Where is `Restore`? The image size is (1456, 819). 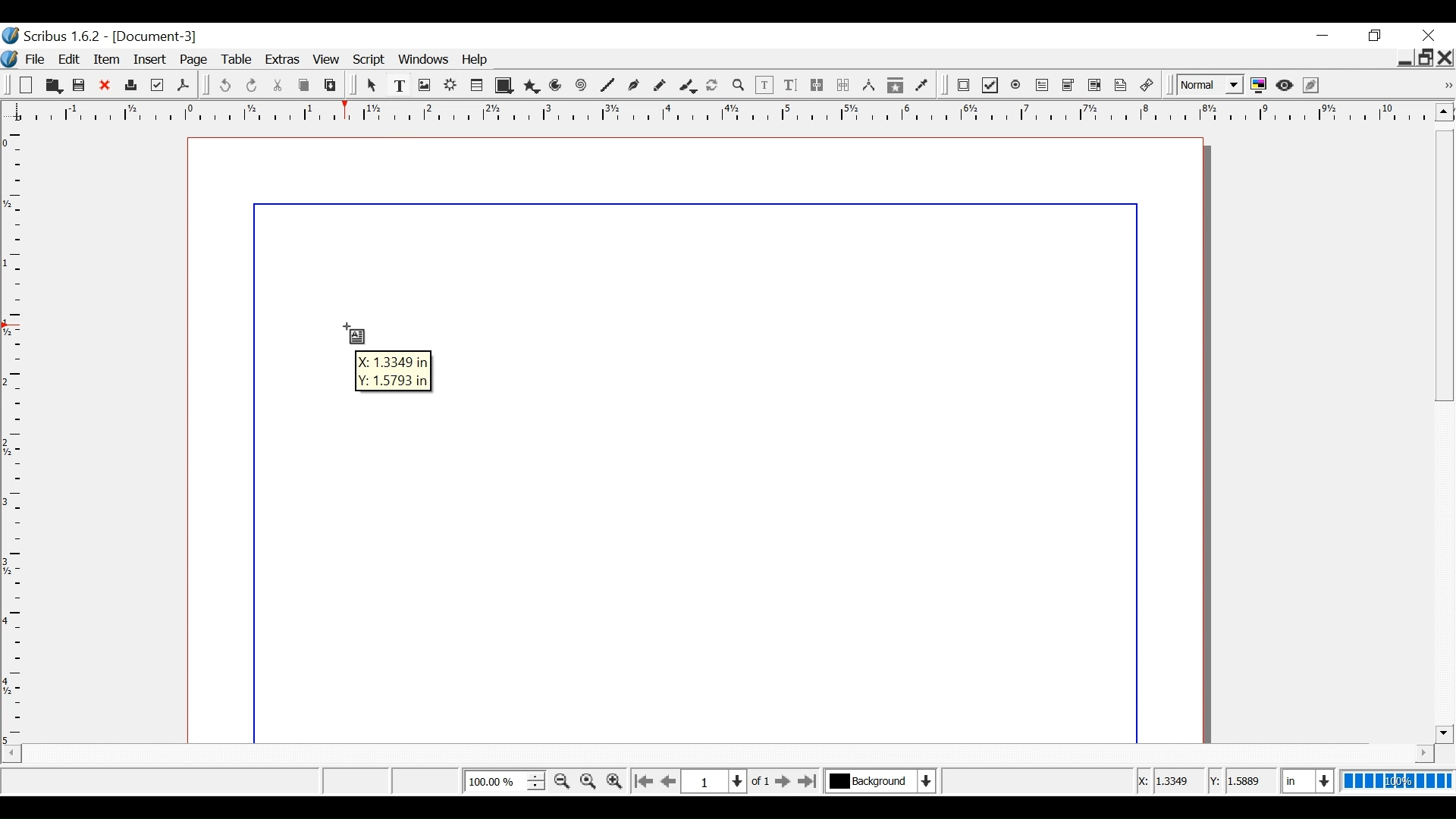 Restore is located at coordinates (1376, 36).